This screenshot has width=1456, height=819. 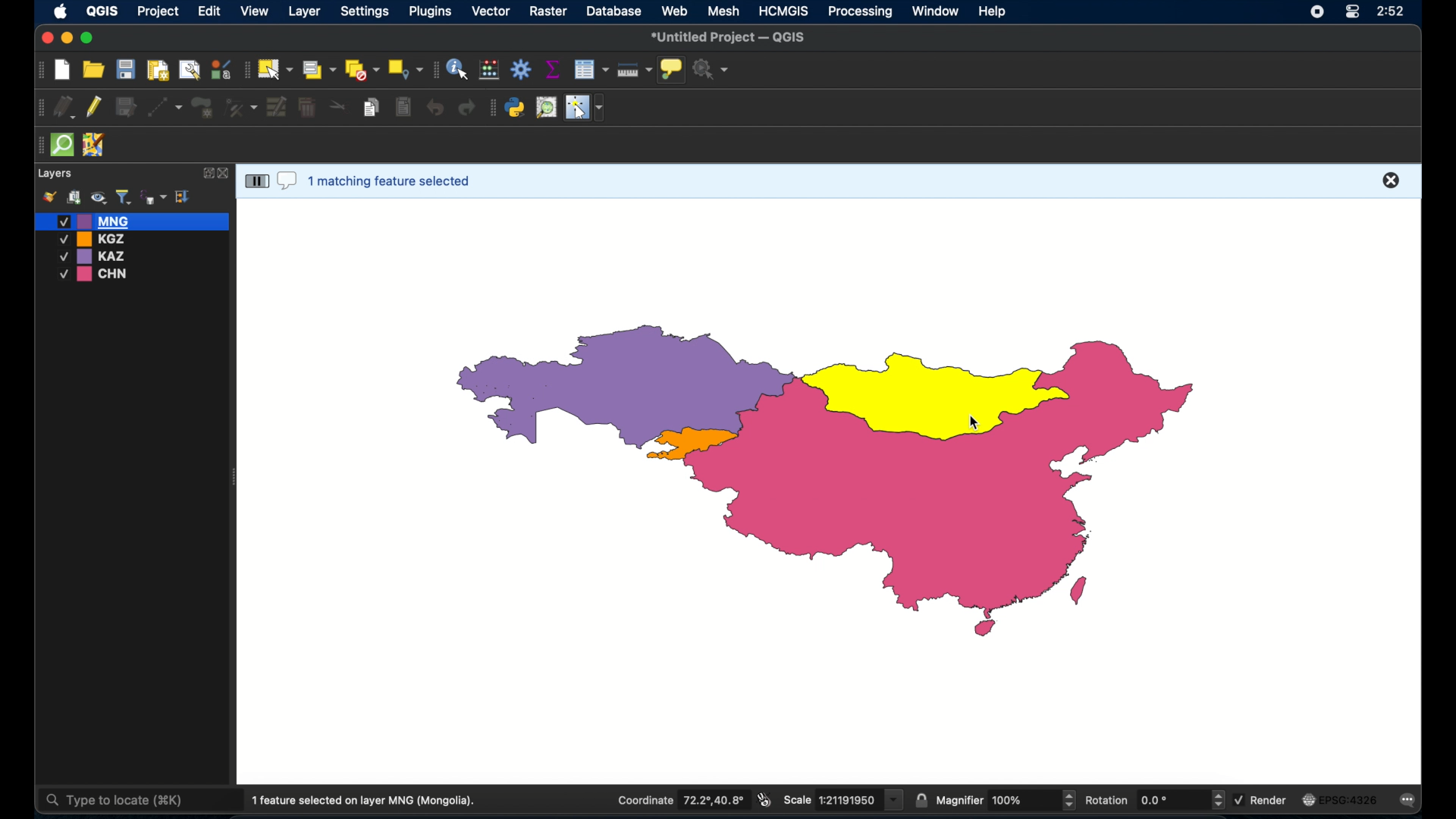 What do you see at coordinates (434, 108) in the screenshot?
I see `undo` at bounding box center [434, 108].